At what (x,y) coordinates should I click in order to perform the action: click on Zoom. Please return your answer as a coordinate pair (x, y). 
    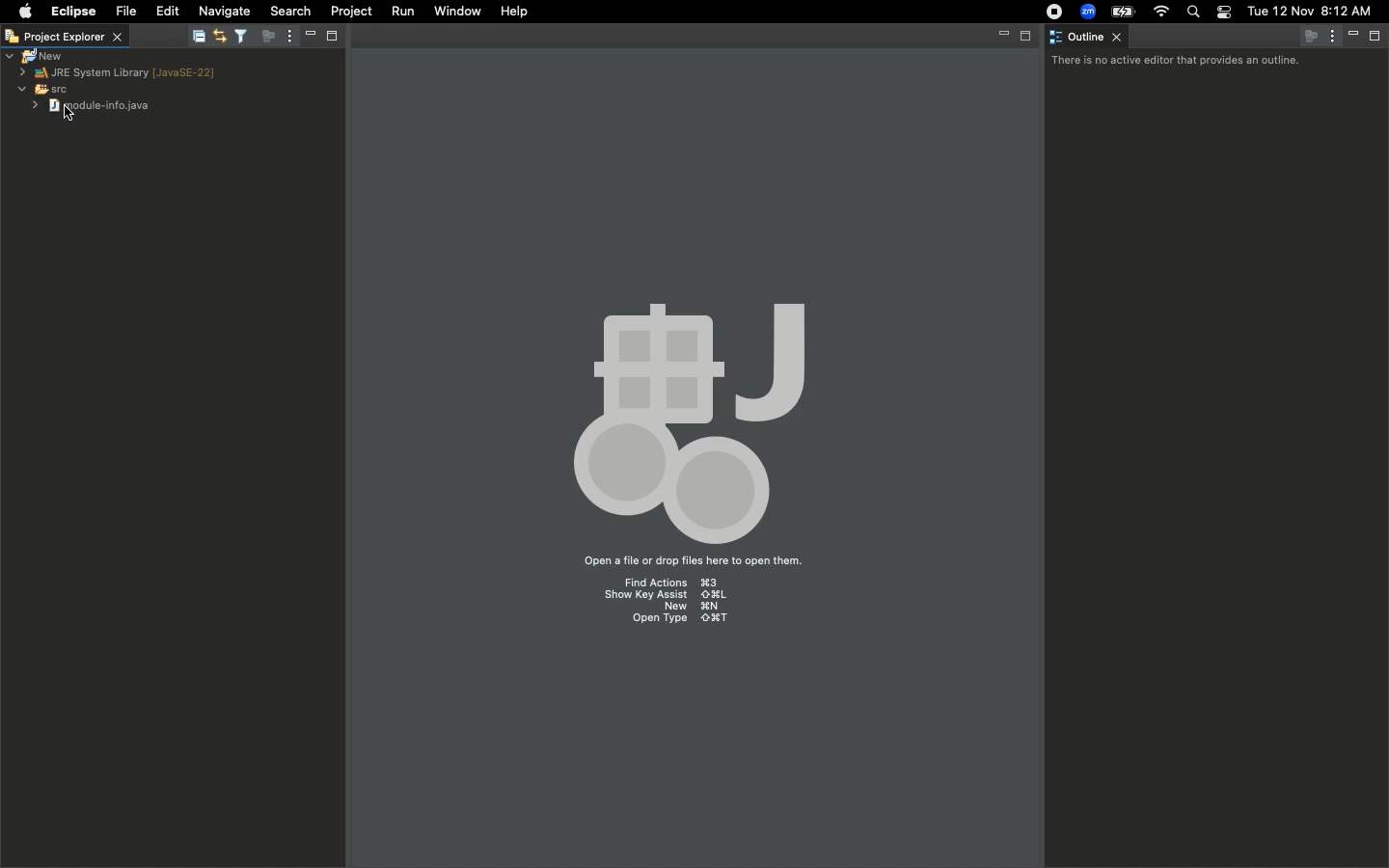
    Looking at the image, I should click on (1085, 12).